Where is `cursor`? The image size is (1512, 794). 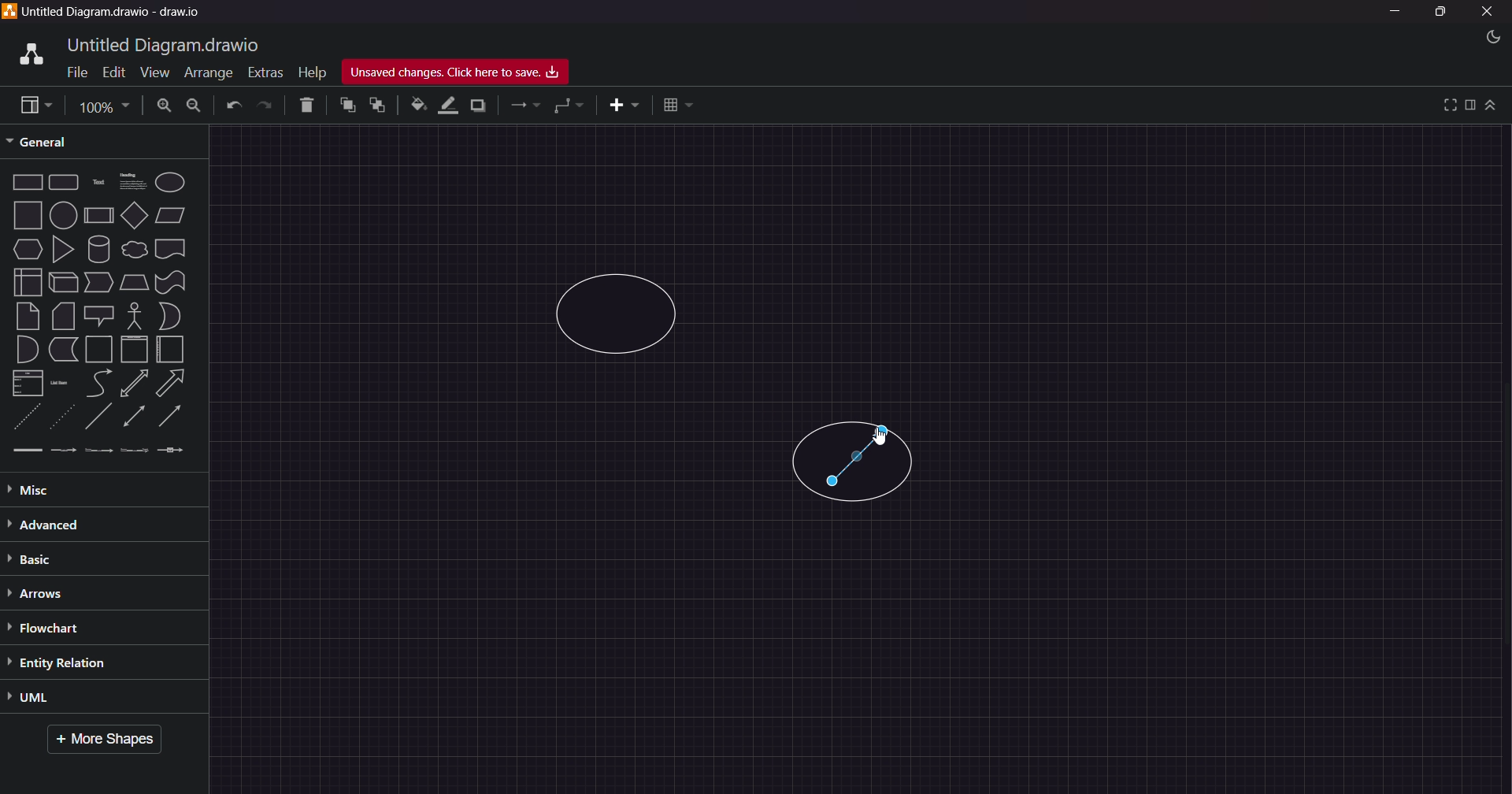
cursor is located at coordinates (884, 439).